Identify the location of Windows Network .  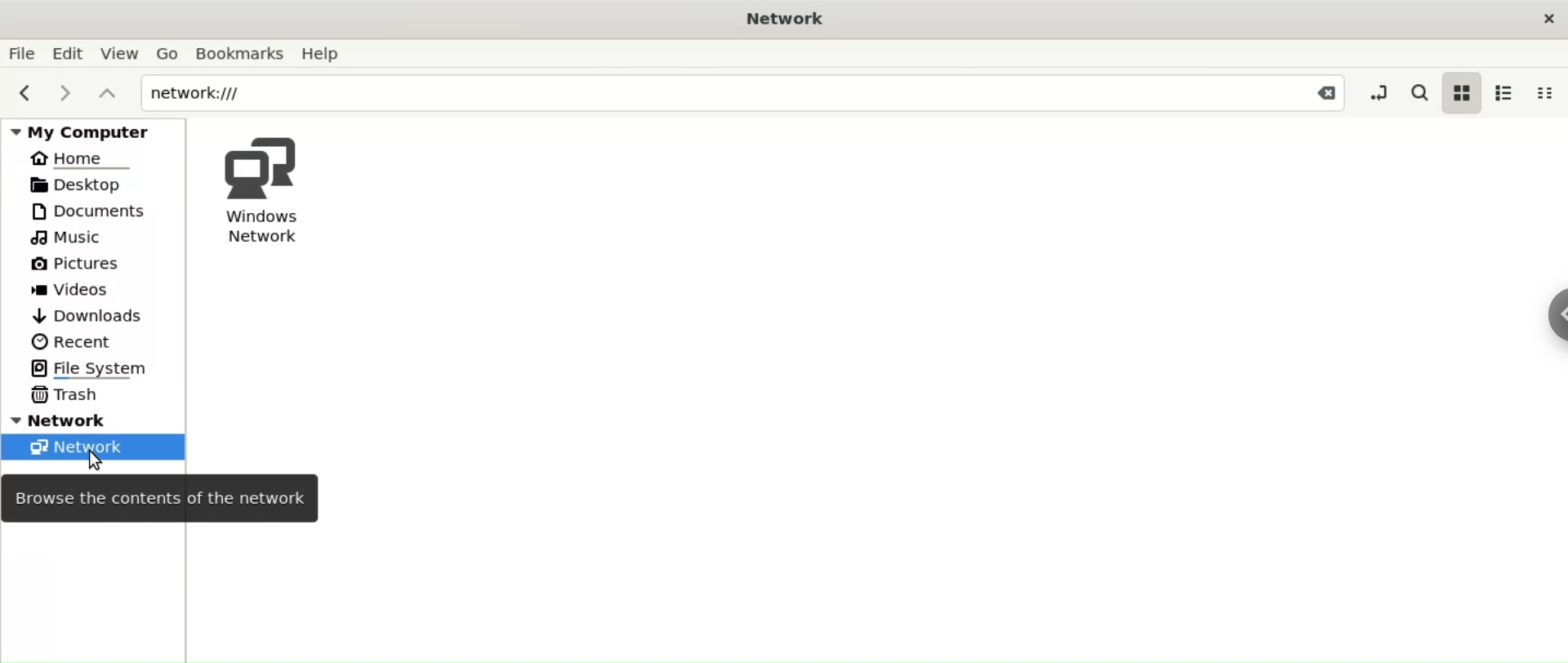
(281, 185).